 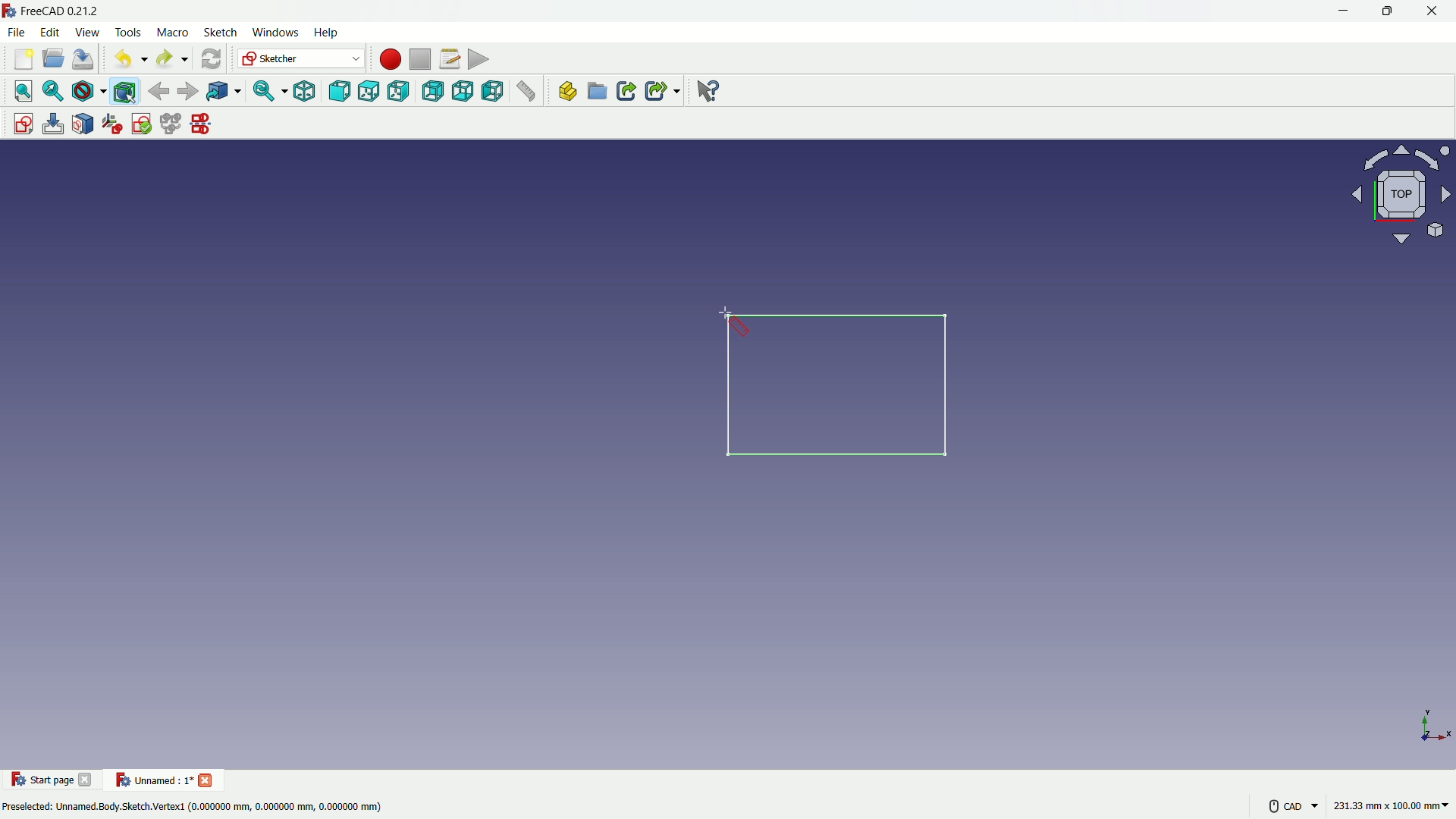 What do you see at coordinates (401, 91) in the screenshot?
I see `right view` at bounding box center [401, 91].